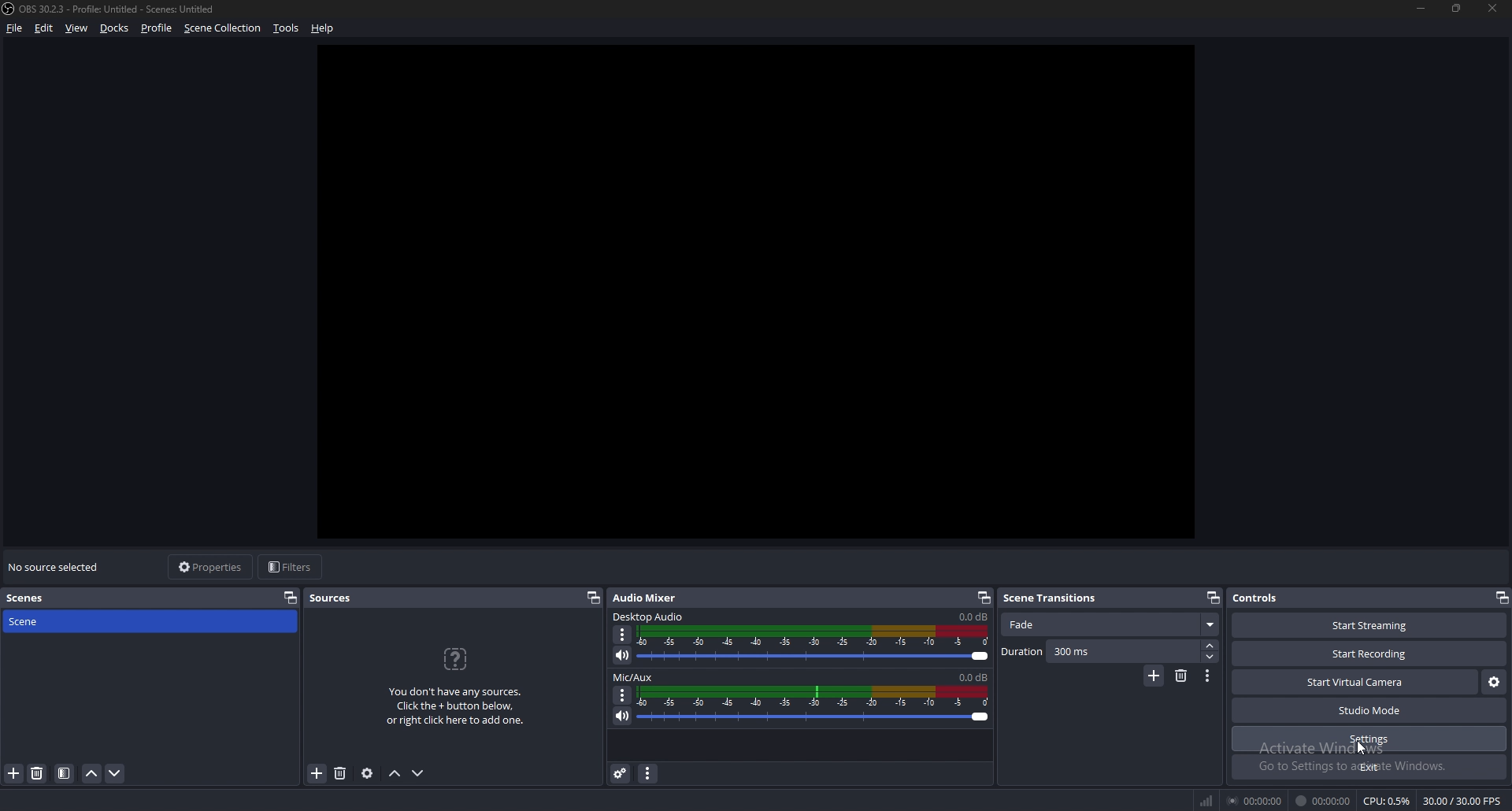  I want to click on filters, so click(291, 566).